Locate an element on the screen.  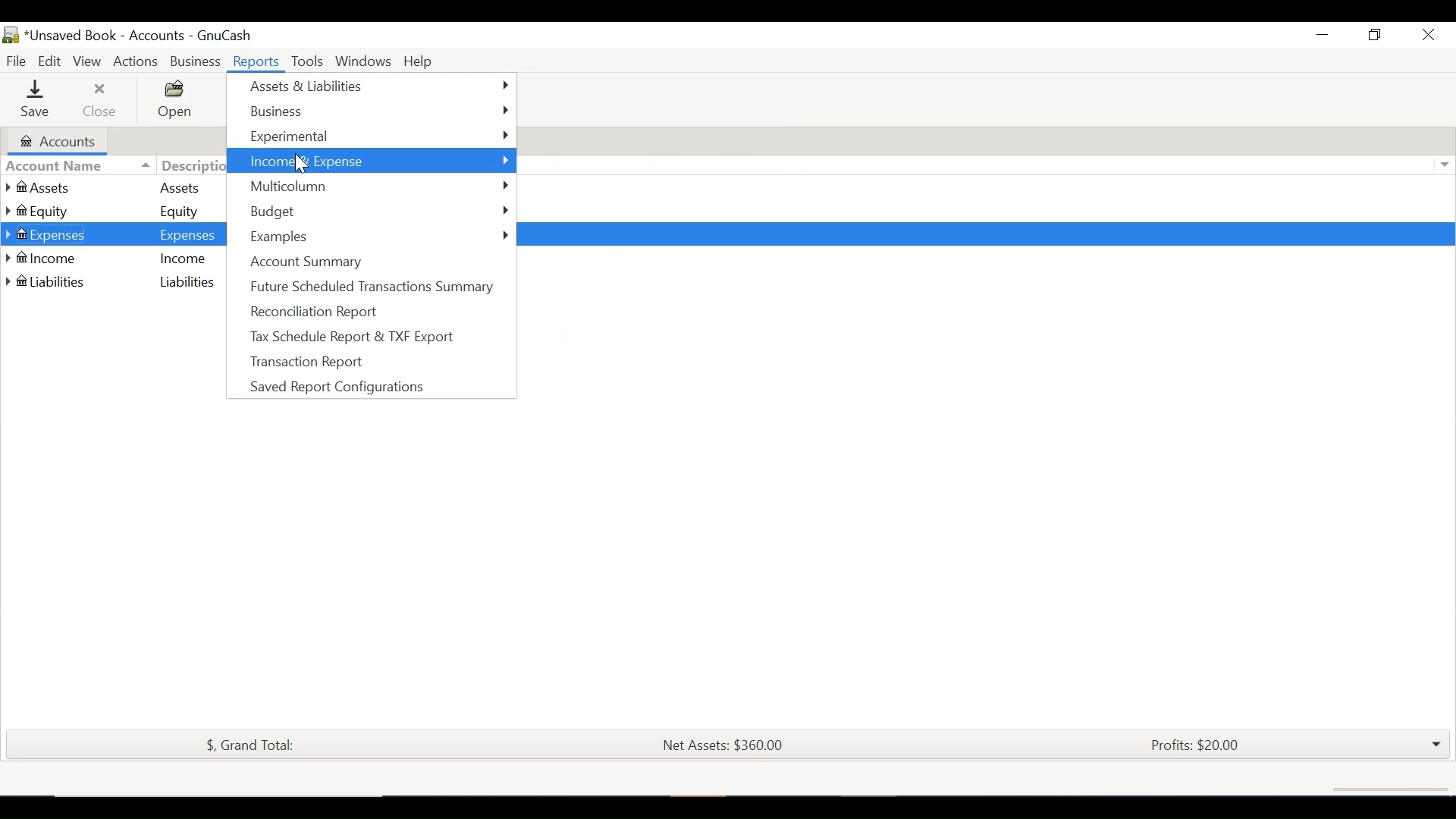
Examples is located at coordinates (372, 237).